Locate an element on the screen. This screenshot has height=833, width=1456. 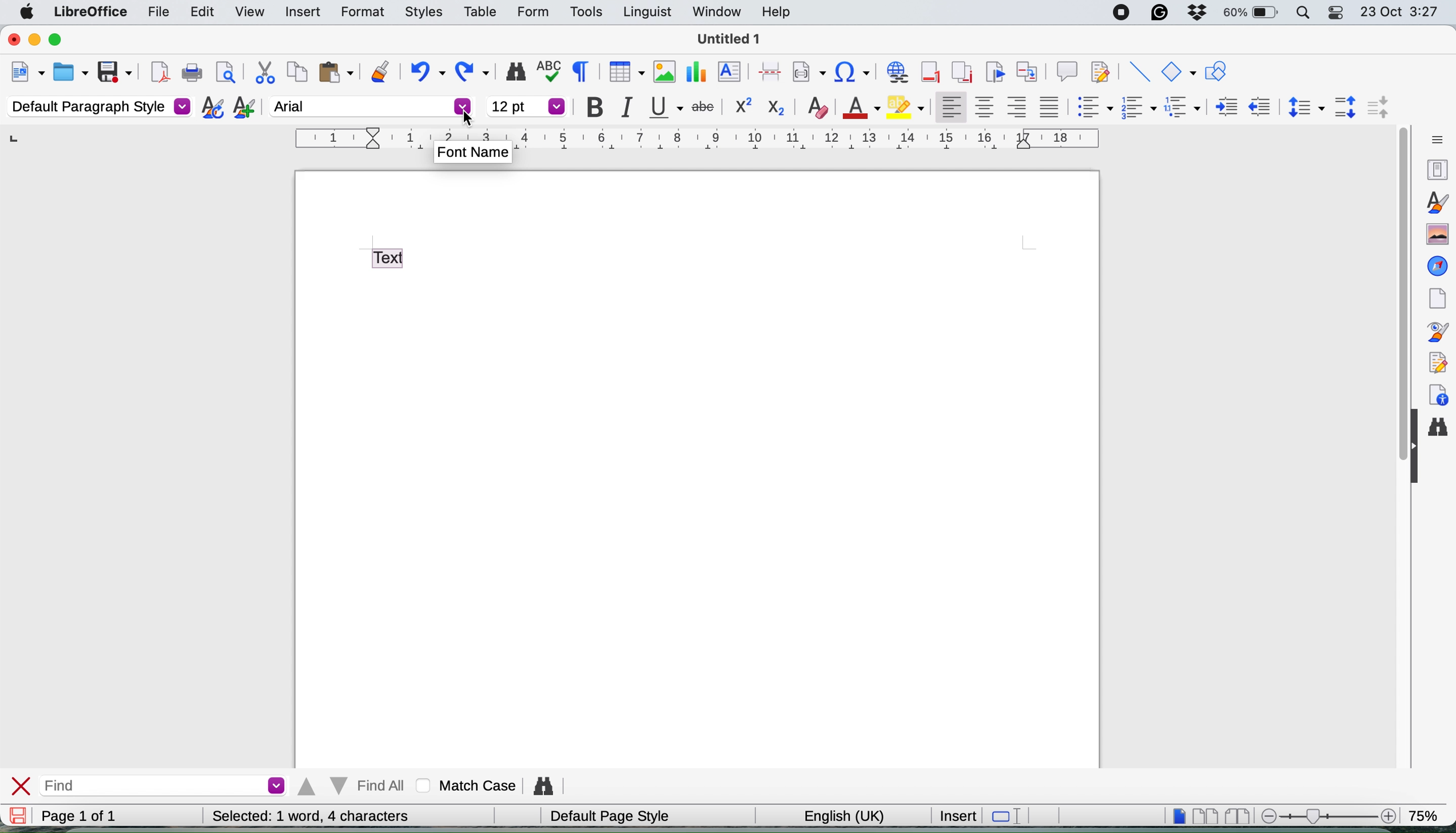
insert endnote is located at coordinates (959, 73).